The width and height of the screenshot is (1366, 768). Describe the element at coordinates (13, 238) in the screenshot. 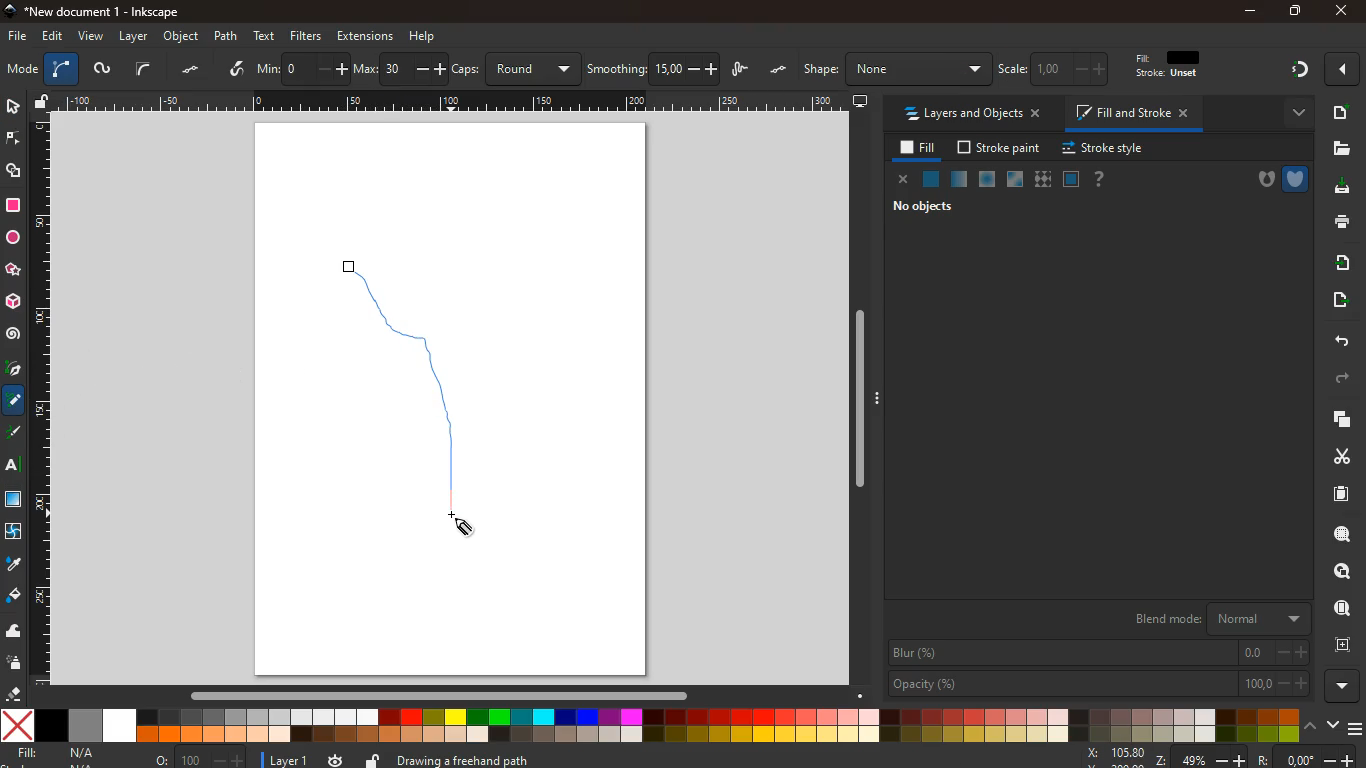

I see `circle` at that location.